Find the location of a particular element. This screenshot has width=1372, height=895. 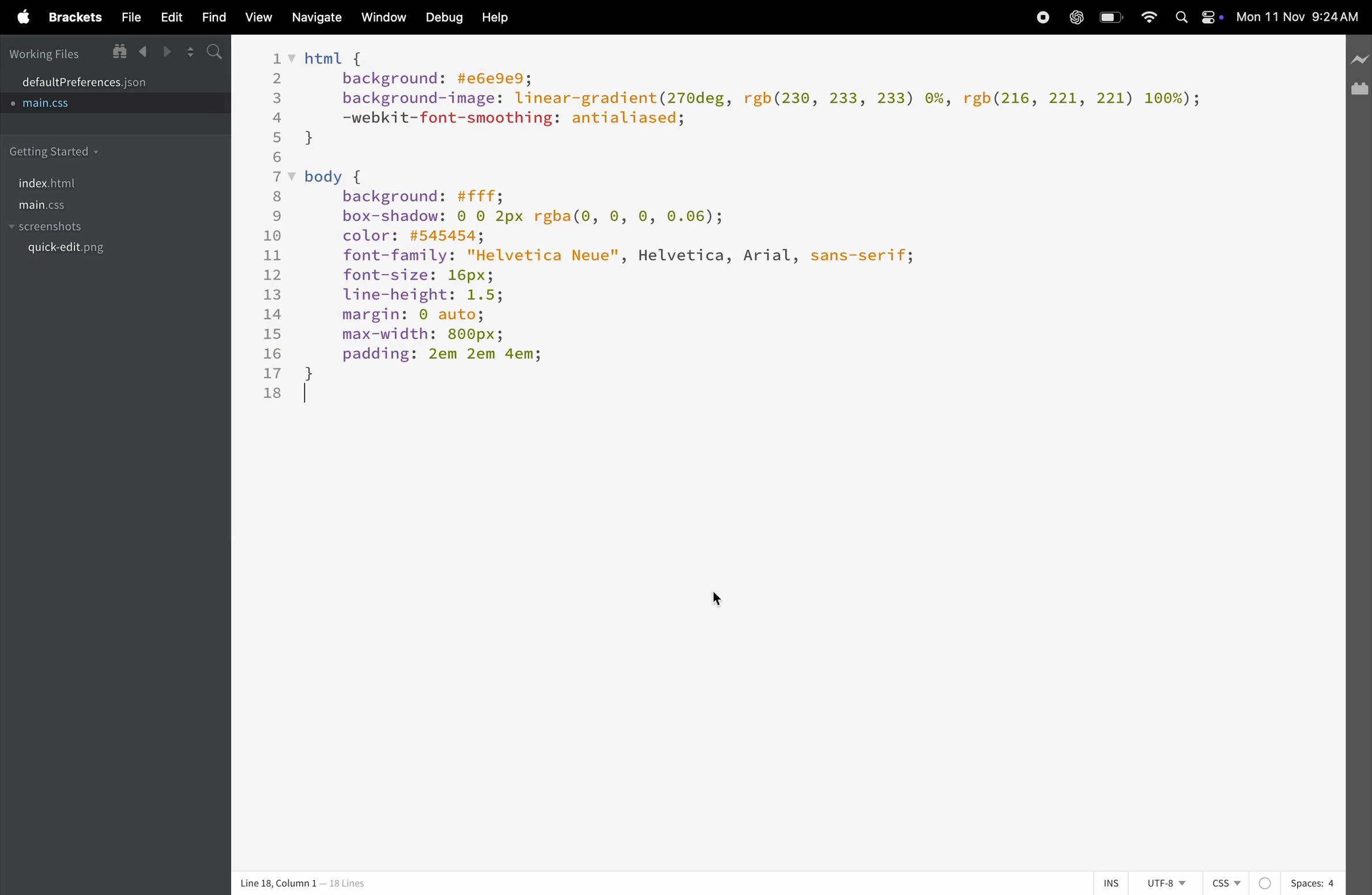

index.html is located at coordinates (47, 183).